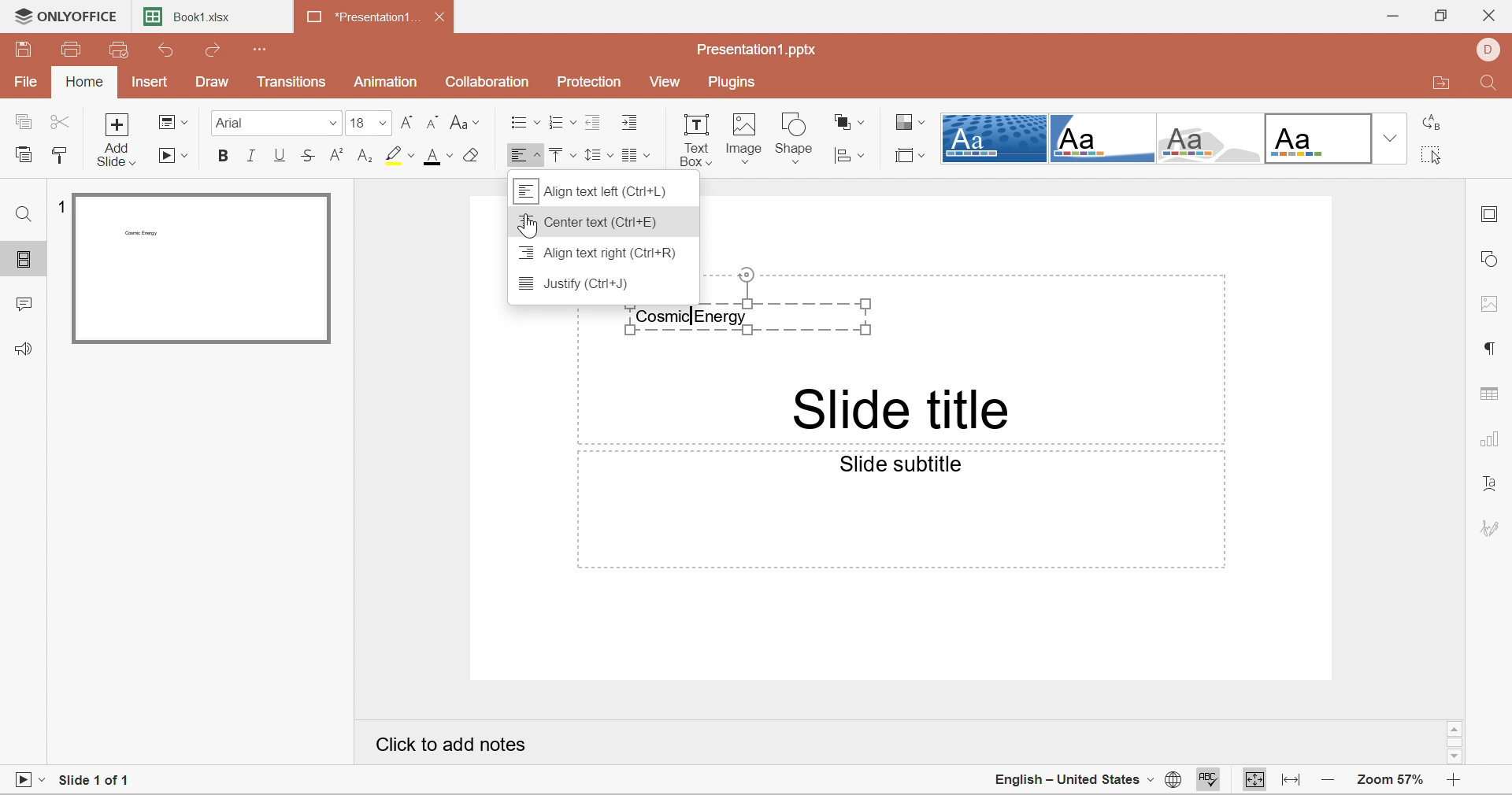 Image resolution: width=1512 pixels, height=795 pixels. What do you see at coordinates (148, 84) in the screenshot?
I see `Insert` at bounding box center [148, 84].